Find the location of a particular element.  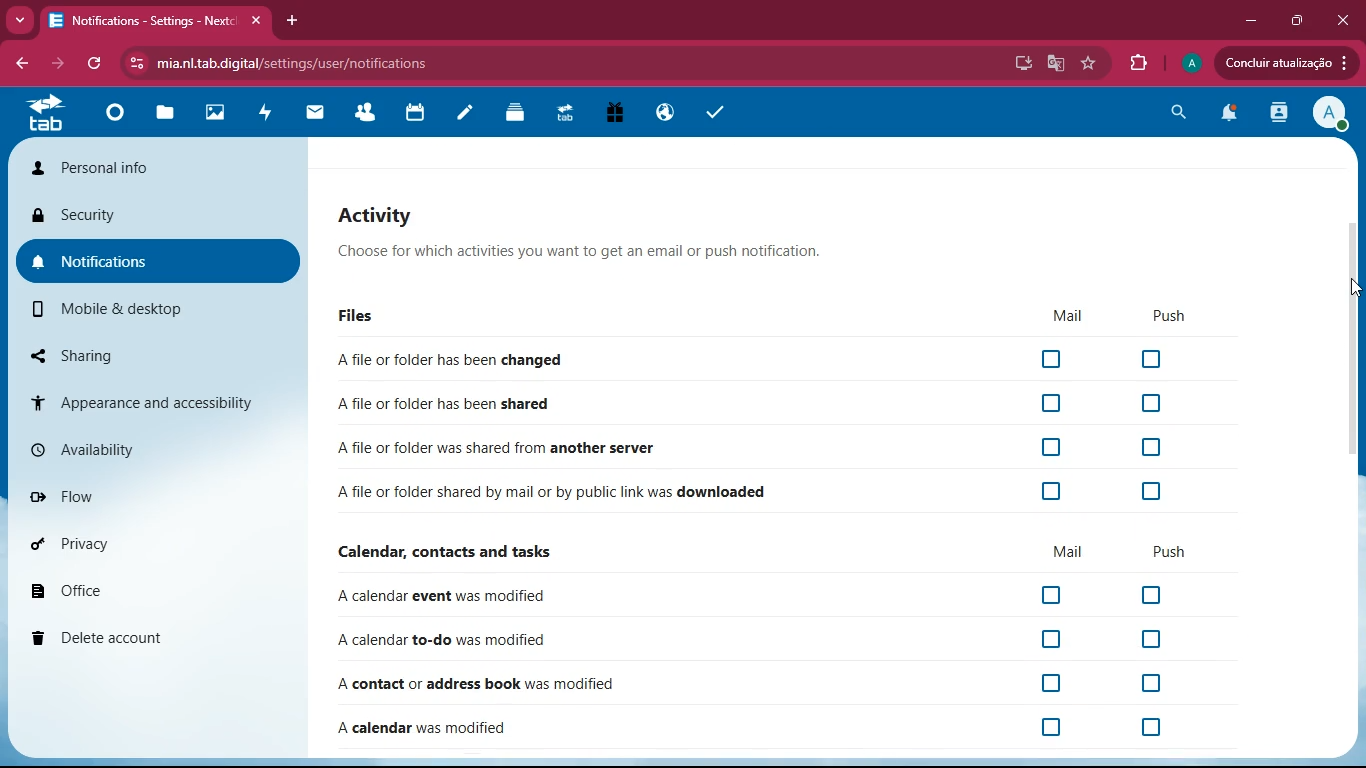

images is located at coordinates (219, 114).